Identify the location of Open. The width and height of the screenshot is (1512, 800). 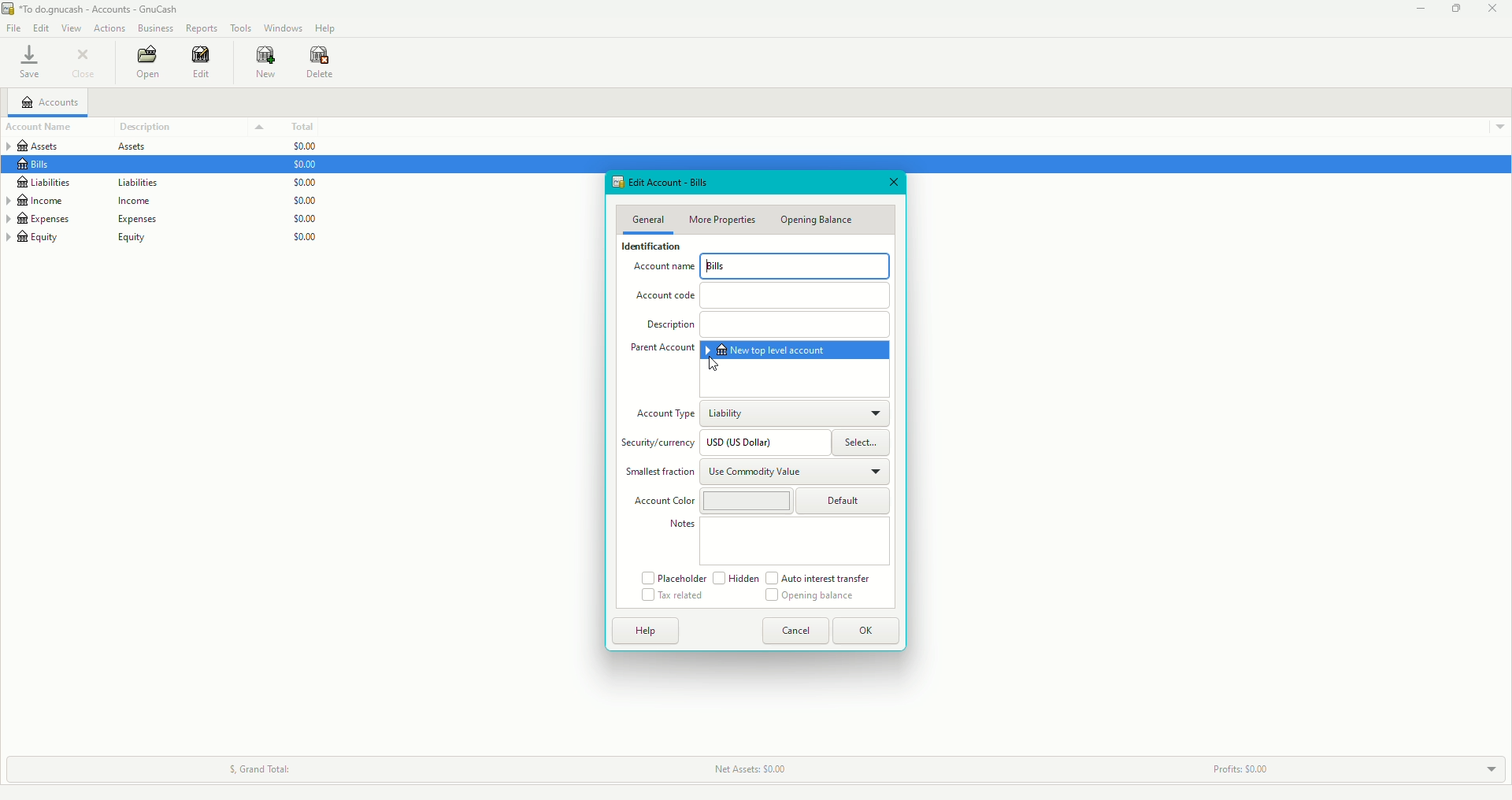
(148, 62).